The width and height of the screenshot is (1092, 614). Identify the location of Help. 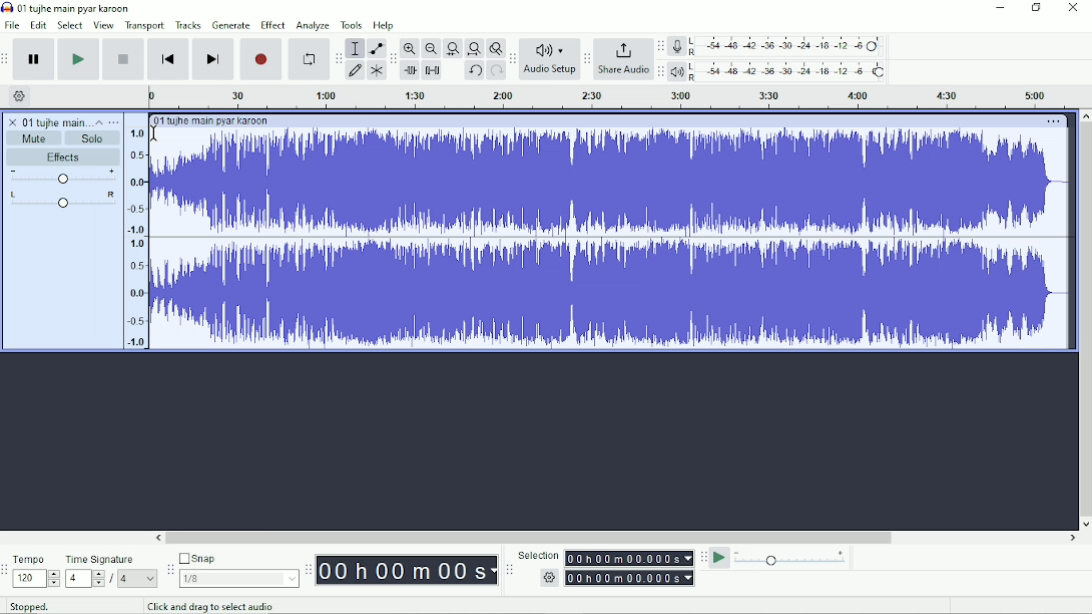
(385, 25).